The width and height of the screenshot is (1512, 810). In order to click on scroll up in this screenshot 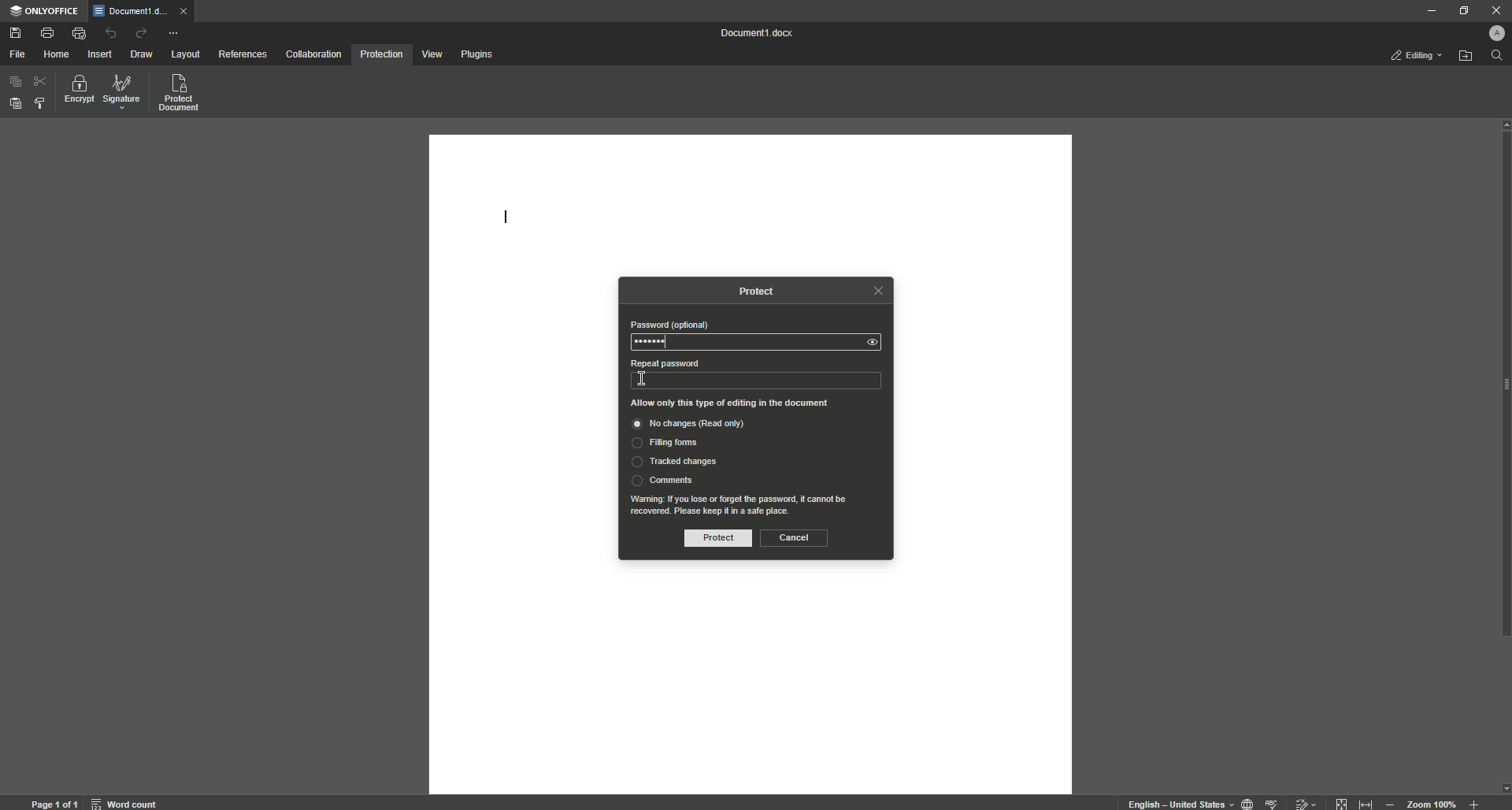, I will do `click(1503, 124)`.